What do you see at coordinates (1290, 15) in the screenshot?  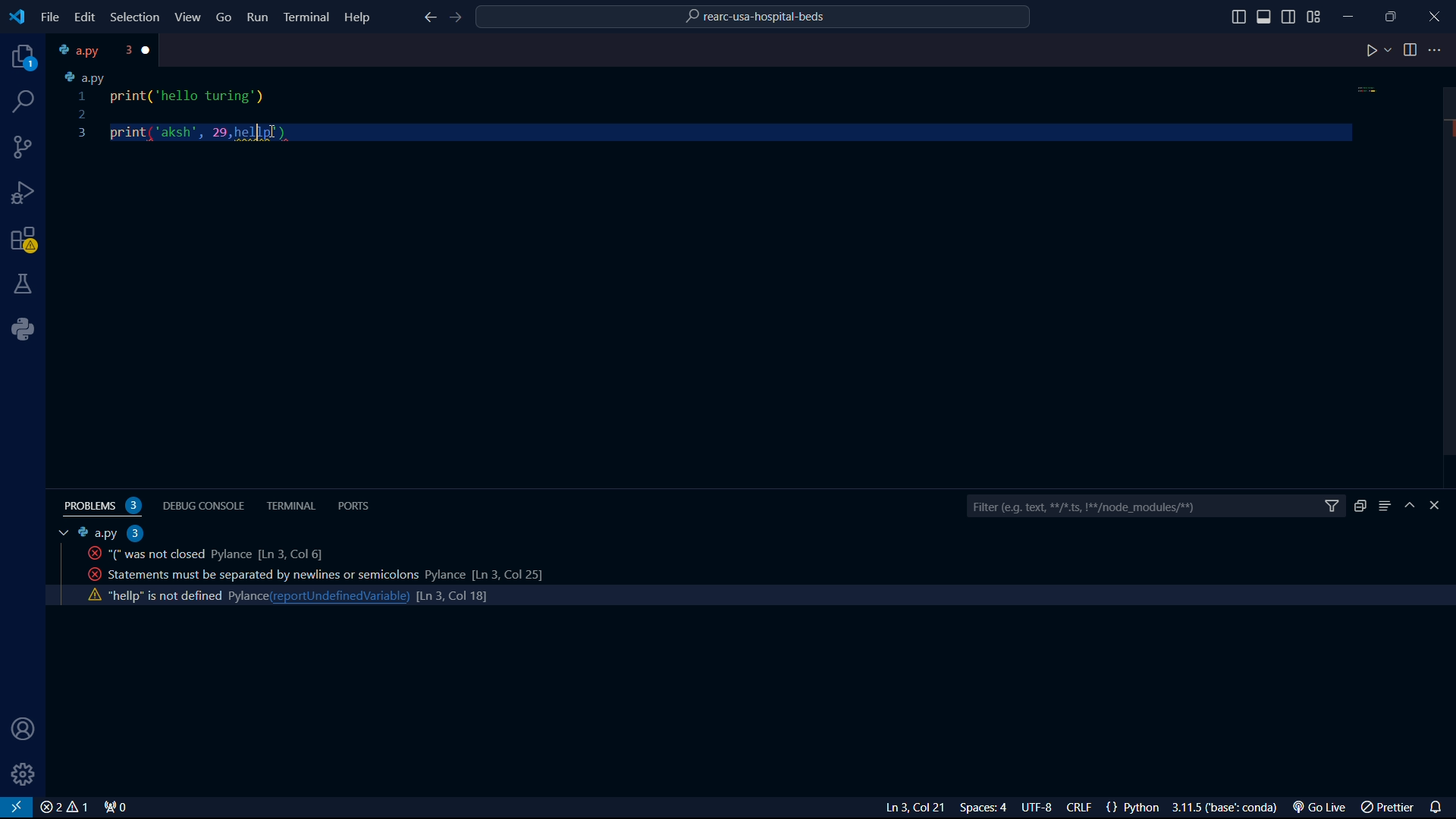 I see `toggle sidebar` at bounding box center [1290, 15].